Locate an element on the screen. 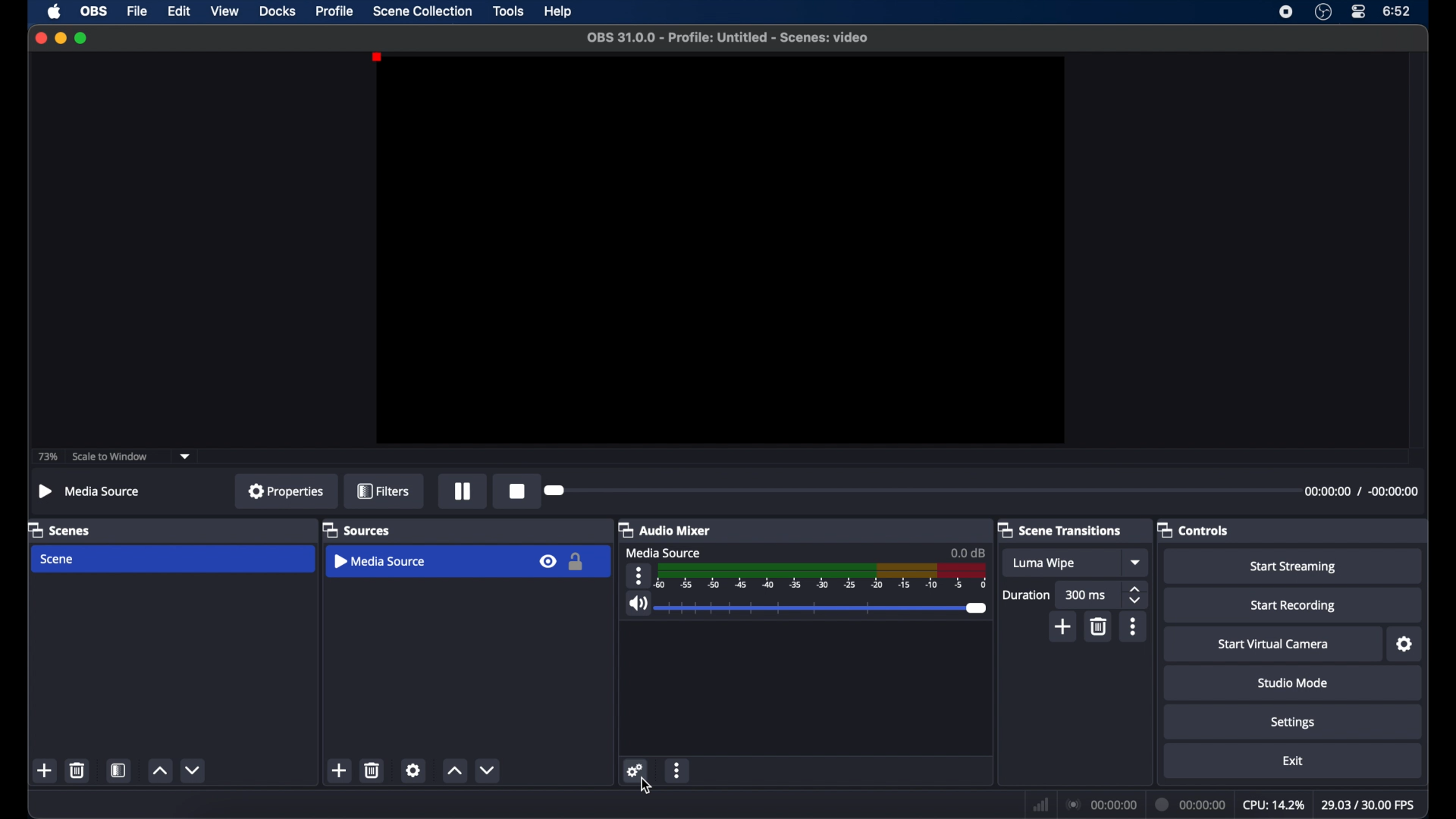  lock is located at coordinates (576, 562).